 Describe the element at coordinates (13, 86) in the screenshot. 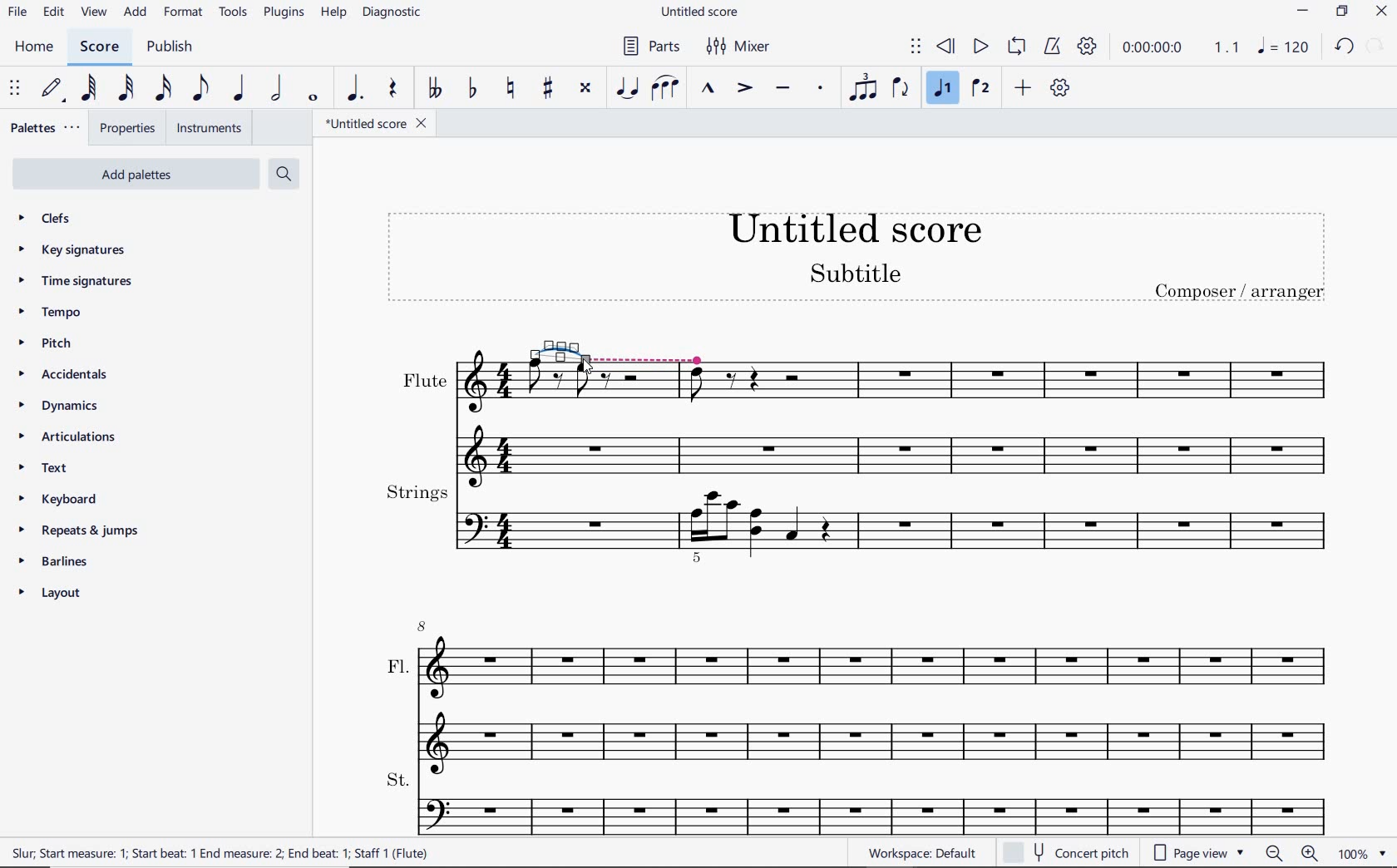

I see `SELECT TO MOVE` at that location.